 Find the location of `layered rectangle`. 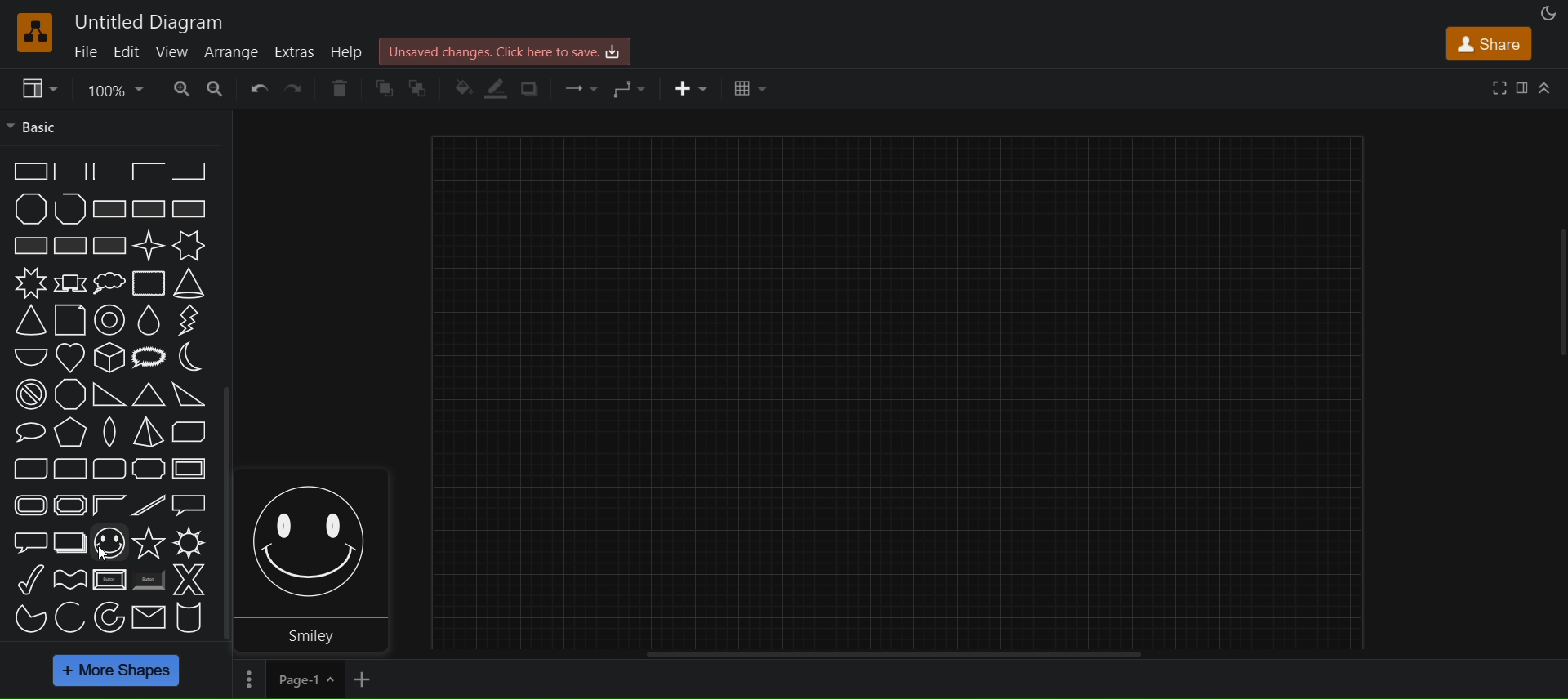

layered rectangle is located at coordinates (69, 543).